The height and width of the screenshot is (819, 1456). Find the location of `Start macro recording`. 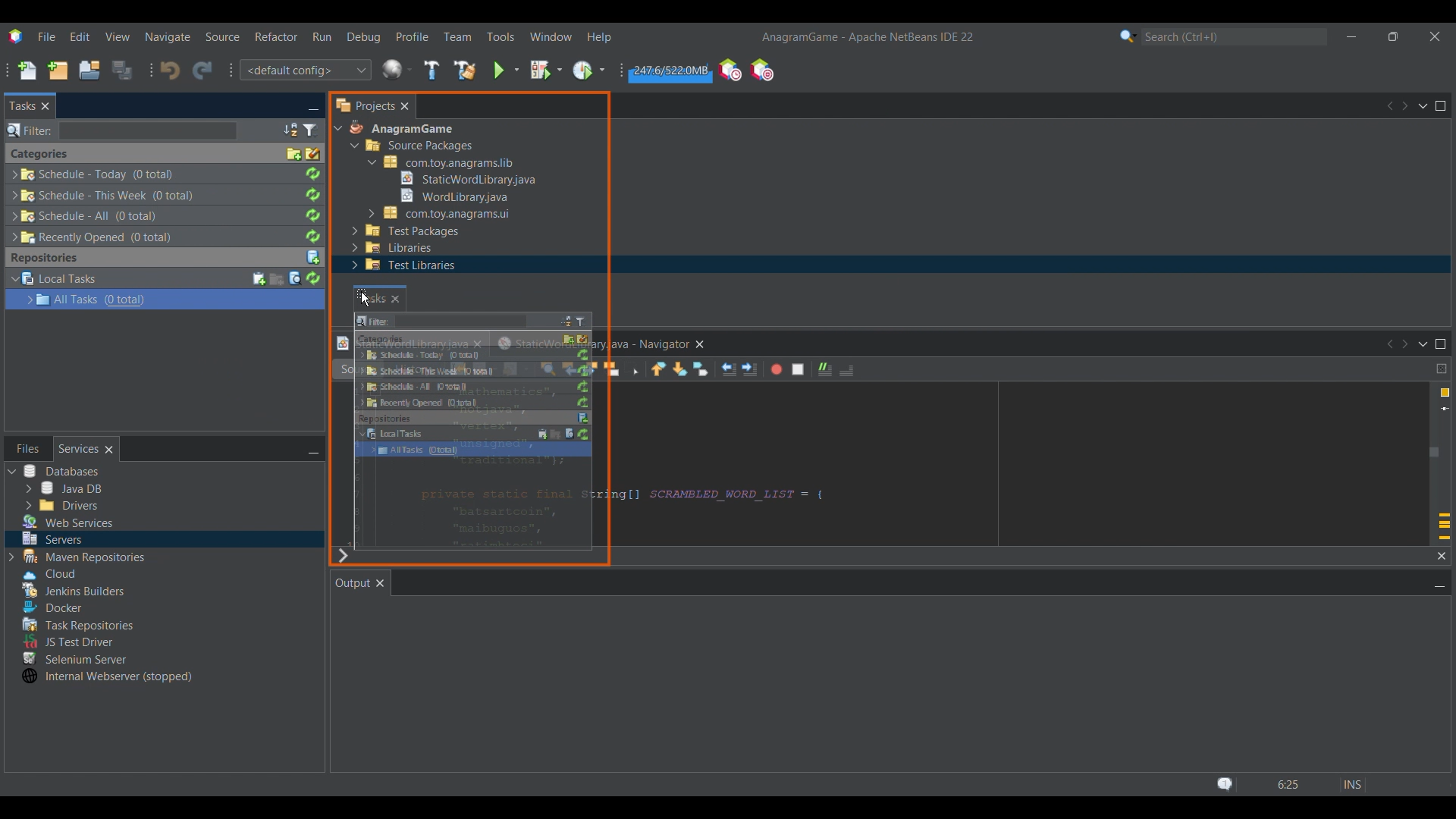

Start macro recording is located at coordinates (777, 369).